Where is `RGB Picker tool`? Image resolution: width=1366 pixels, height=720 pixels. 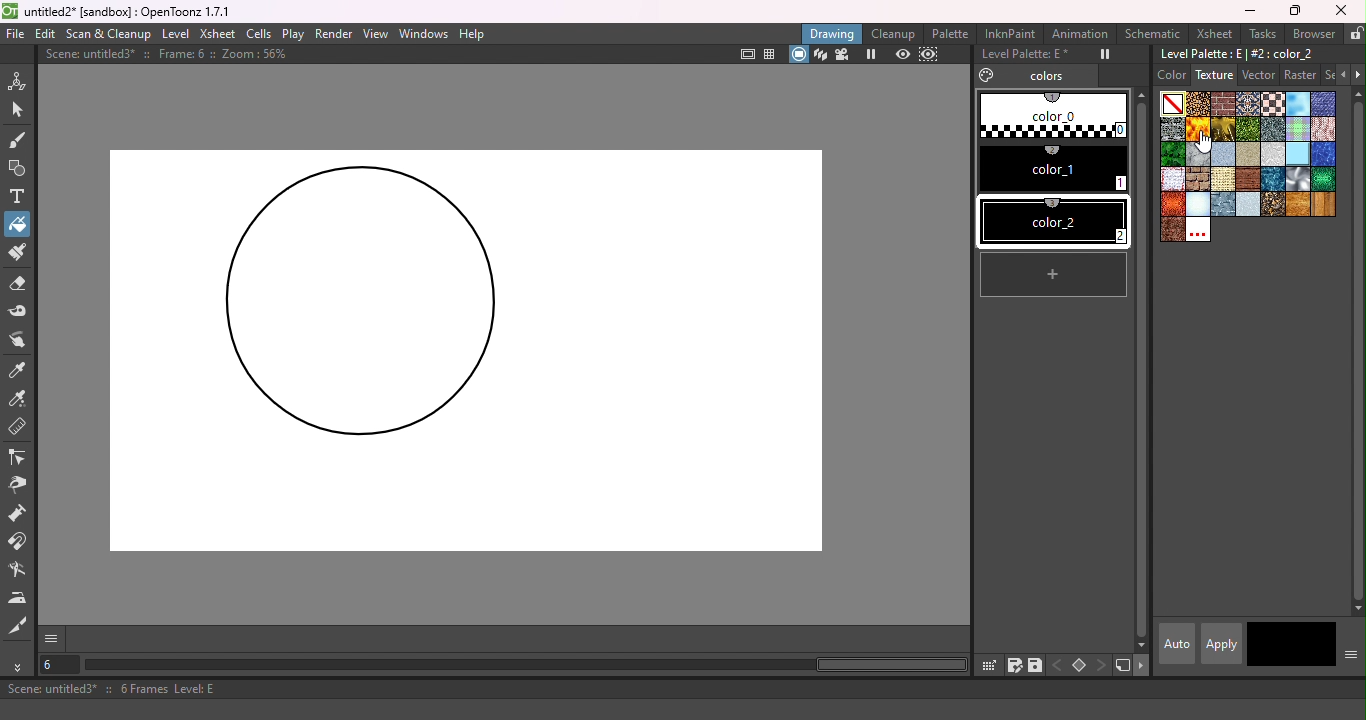 RGB Picker tool is located at coordinates (23, 400).